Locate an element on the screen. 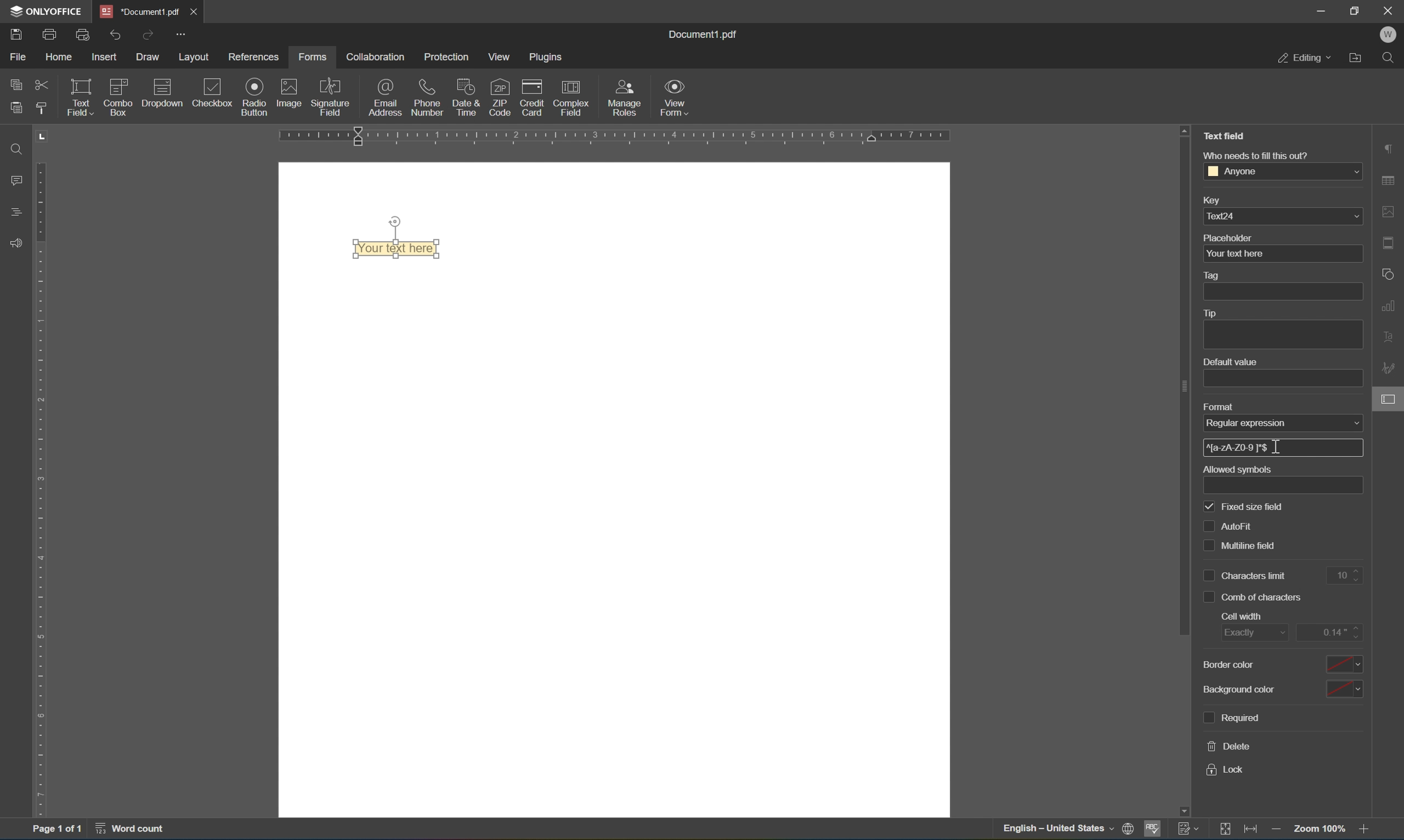  tip is located at coordinates (1209, 313).